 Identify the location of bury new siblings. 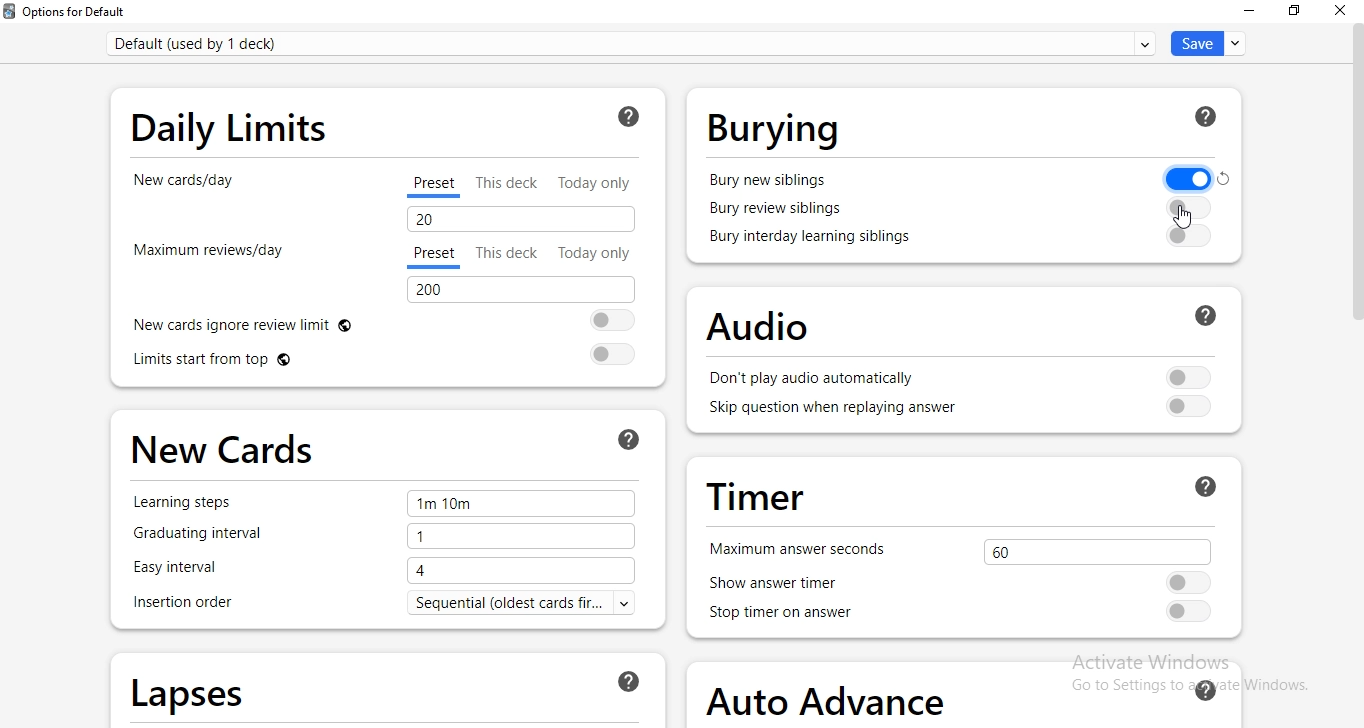
(771, 177).